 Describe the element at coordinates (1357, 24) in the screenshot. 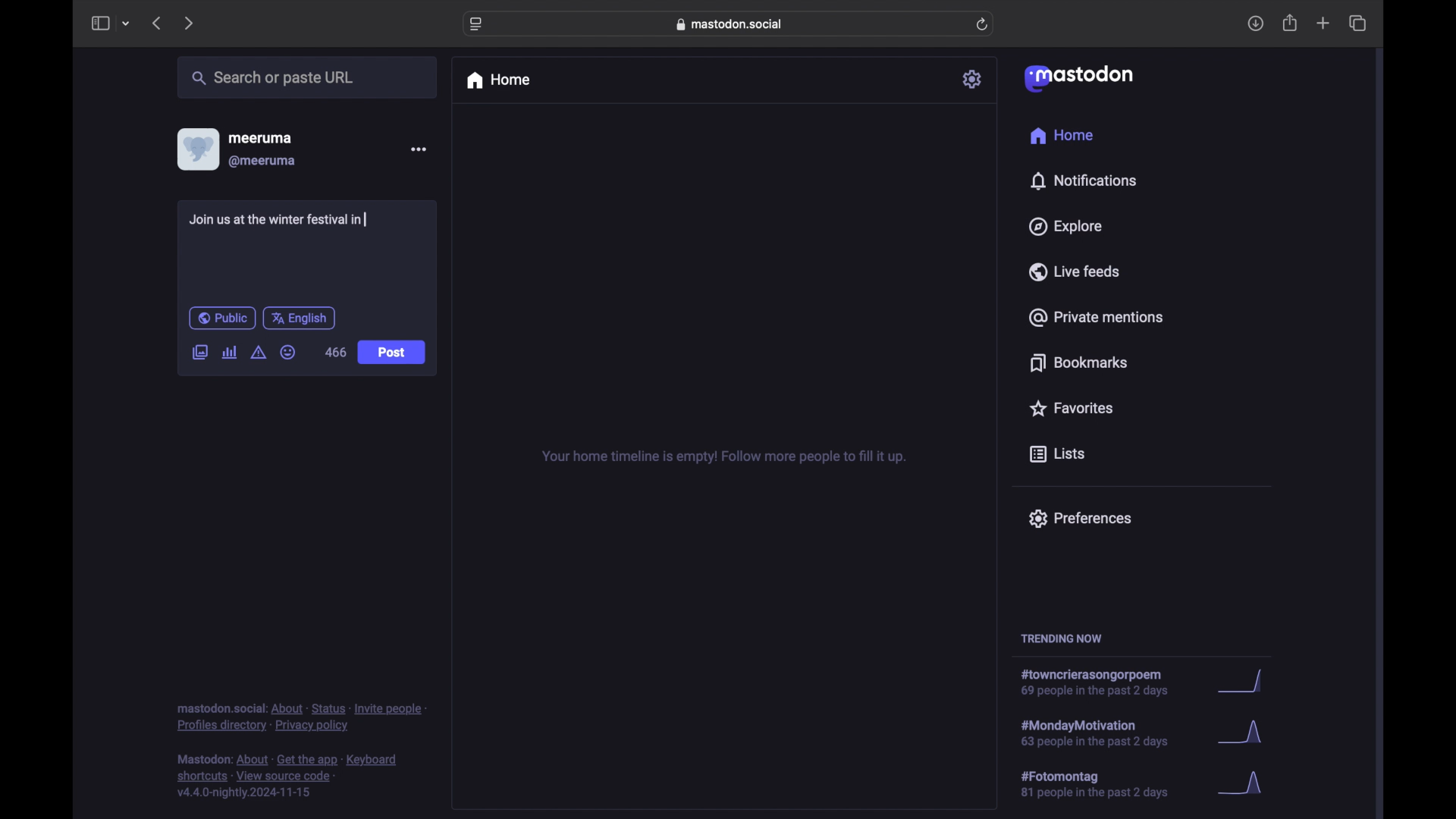

I see `show tab overview` at that location.